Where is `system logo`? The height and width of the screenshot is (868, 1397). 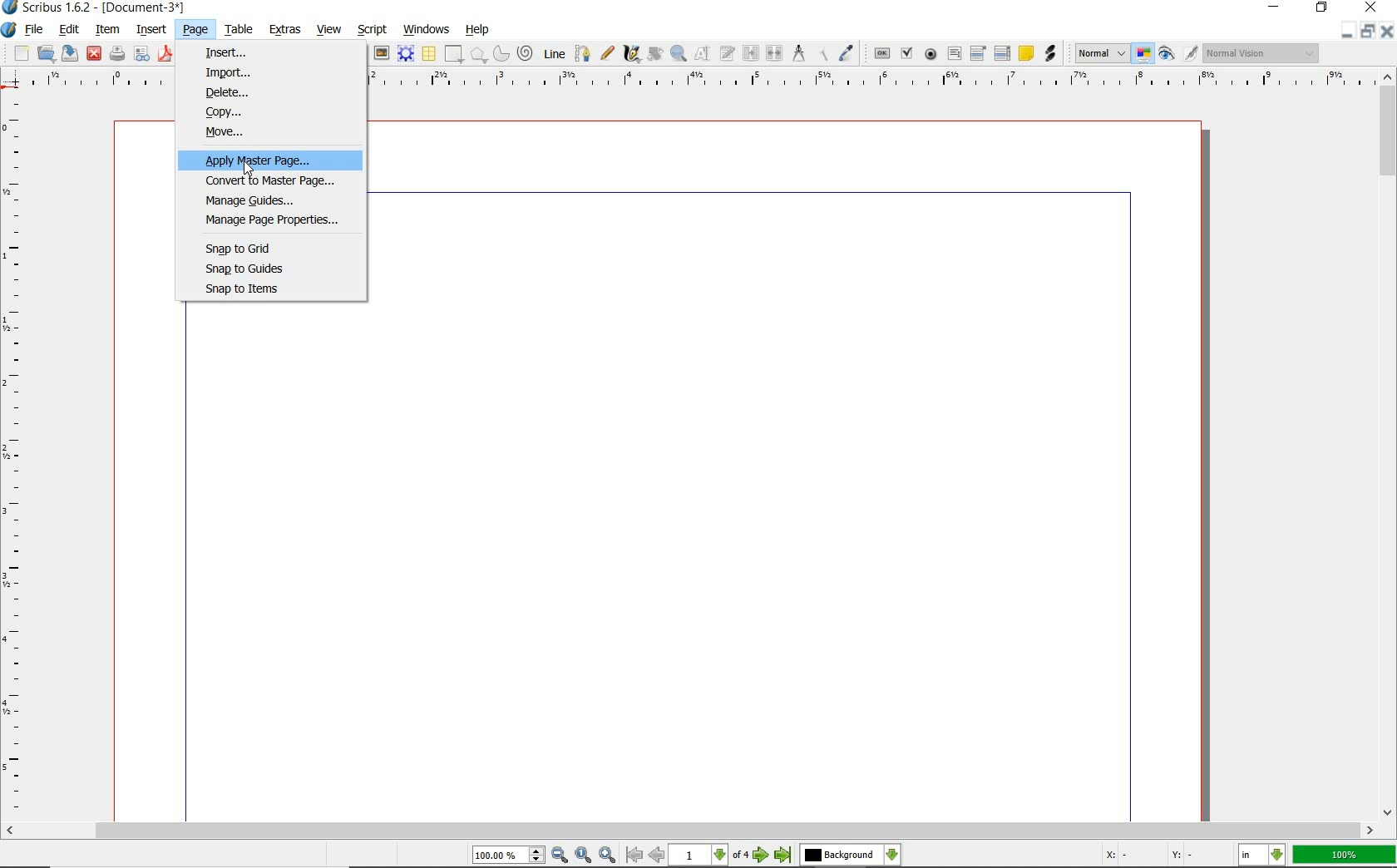 system logo is located at coordinates (9, 31).